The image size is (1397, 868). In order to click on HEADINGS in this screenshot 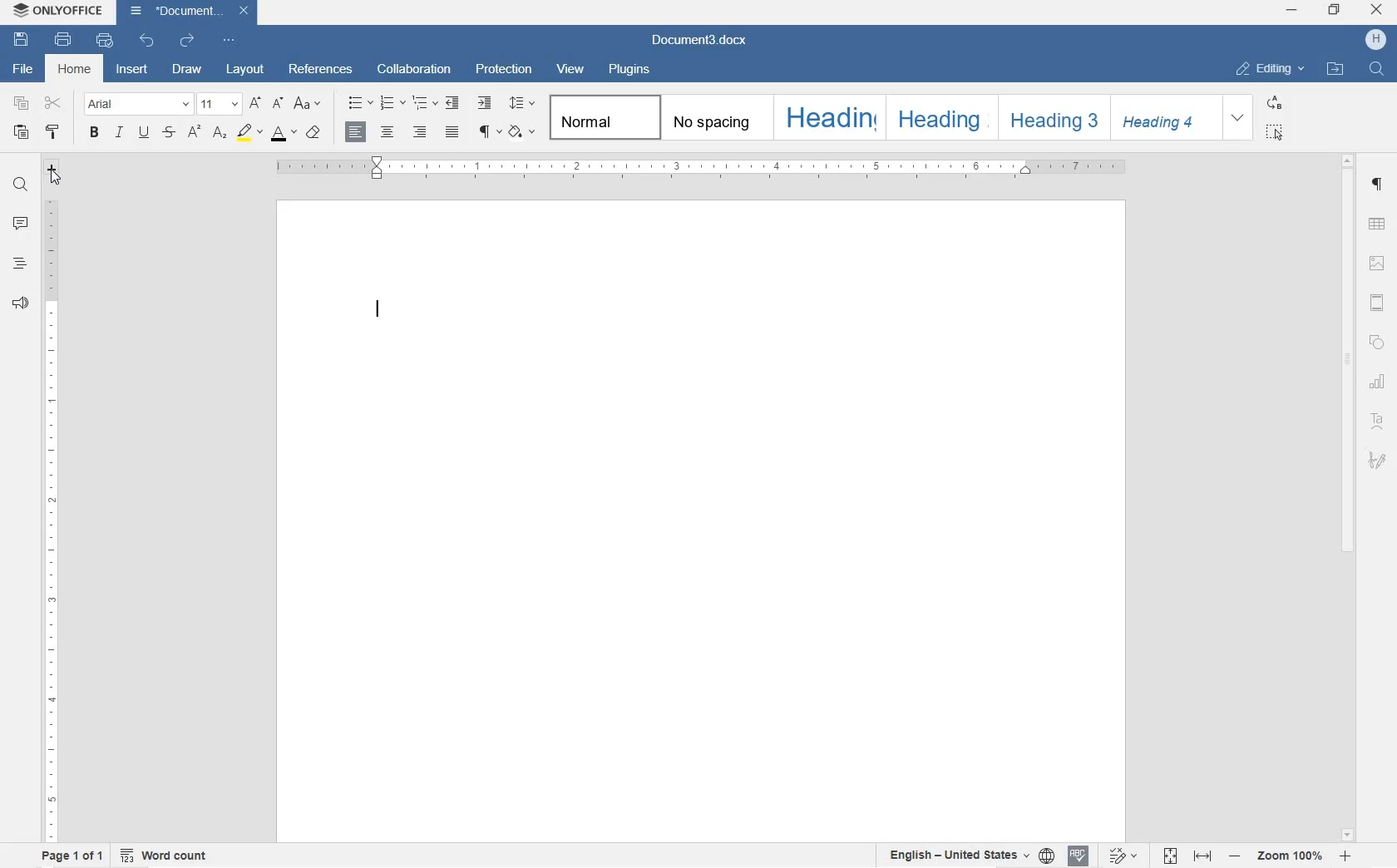, I will do `click(18, 264)`.